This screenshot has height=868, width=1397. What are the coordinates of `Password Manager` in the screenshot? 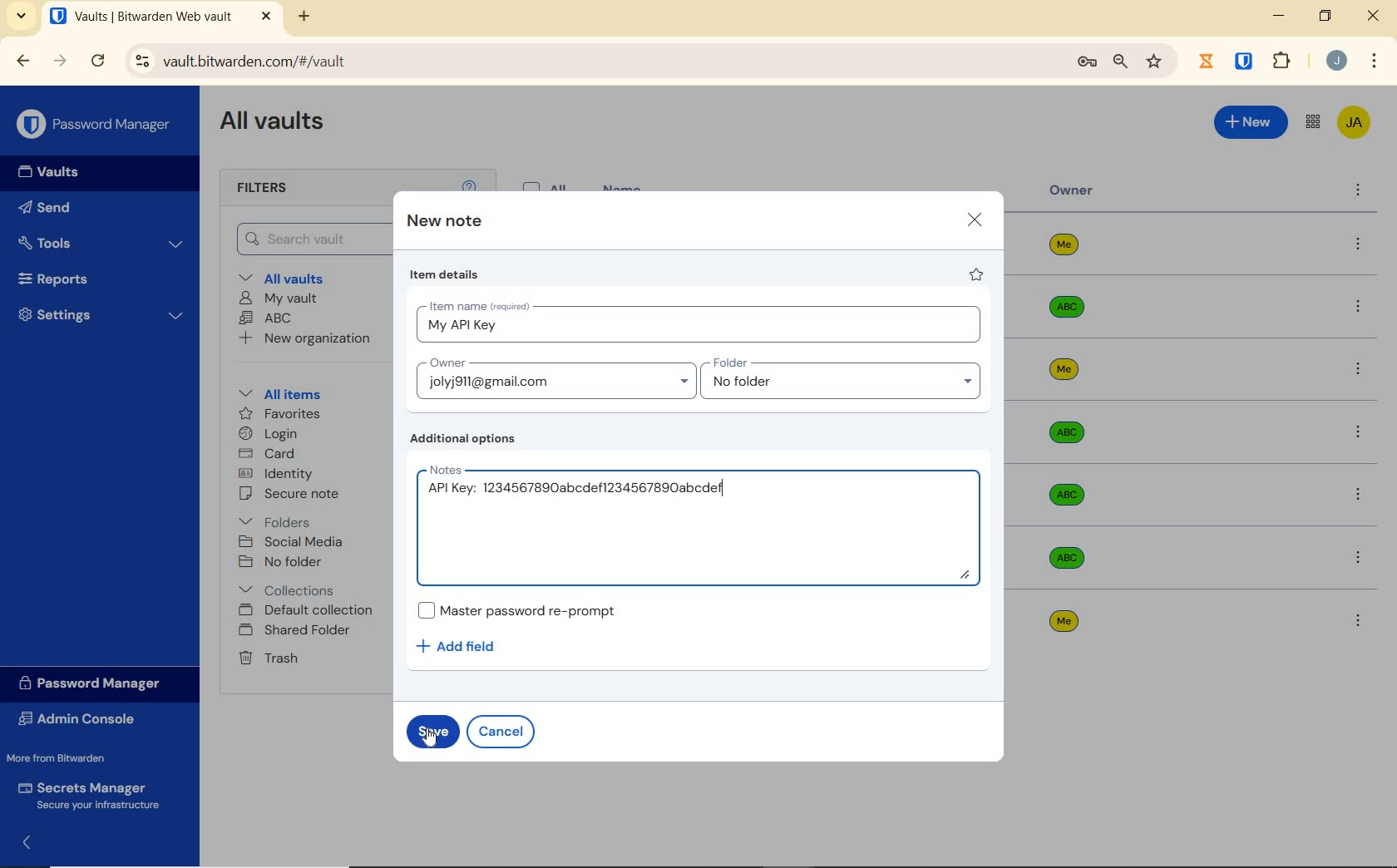 It's located at (96, 123).